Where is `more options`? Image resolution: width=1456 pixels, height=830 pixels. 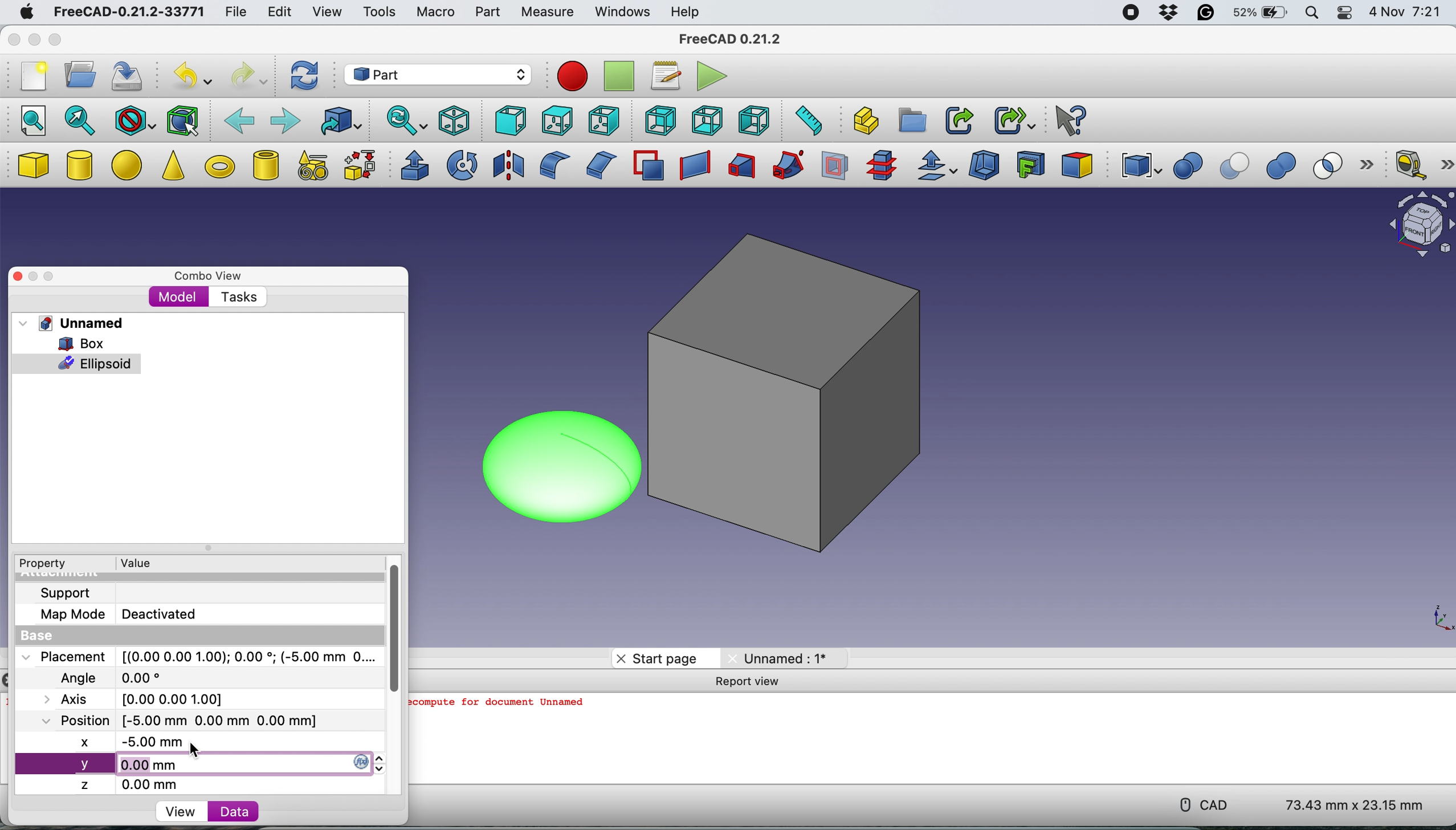
more options is located at coordinates (1447, 164).